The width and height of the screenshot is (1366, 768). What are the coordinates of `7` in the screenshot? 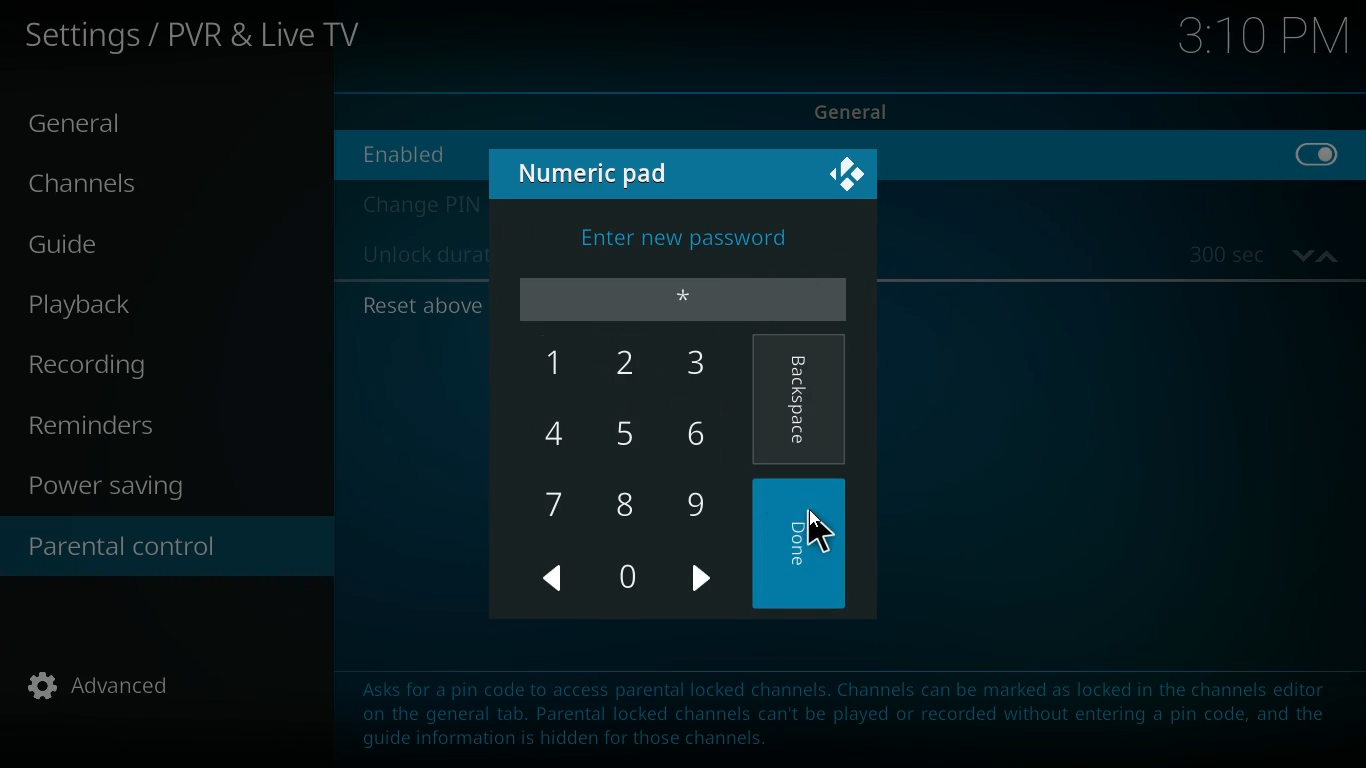 It's located at (559, 504).